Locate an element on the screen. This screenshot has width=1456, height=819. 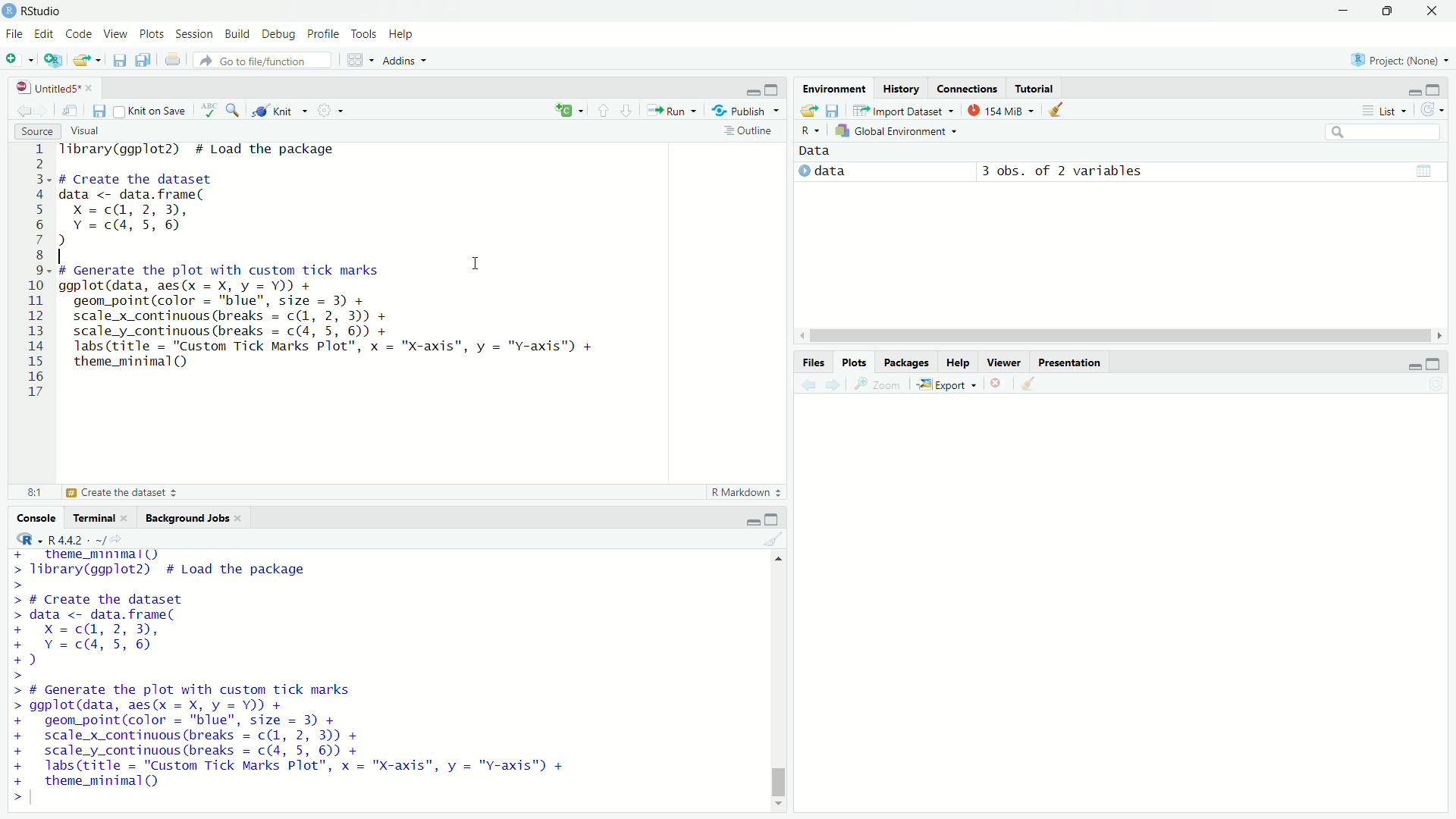
cursor is located at coordinates (475, 263).